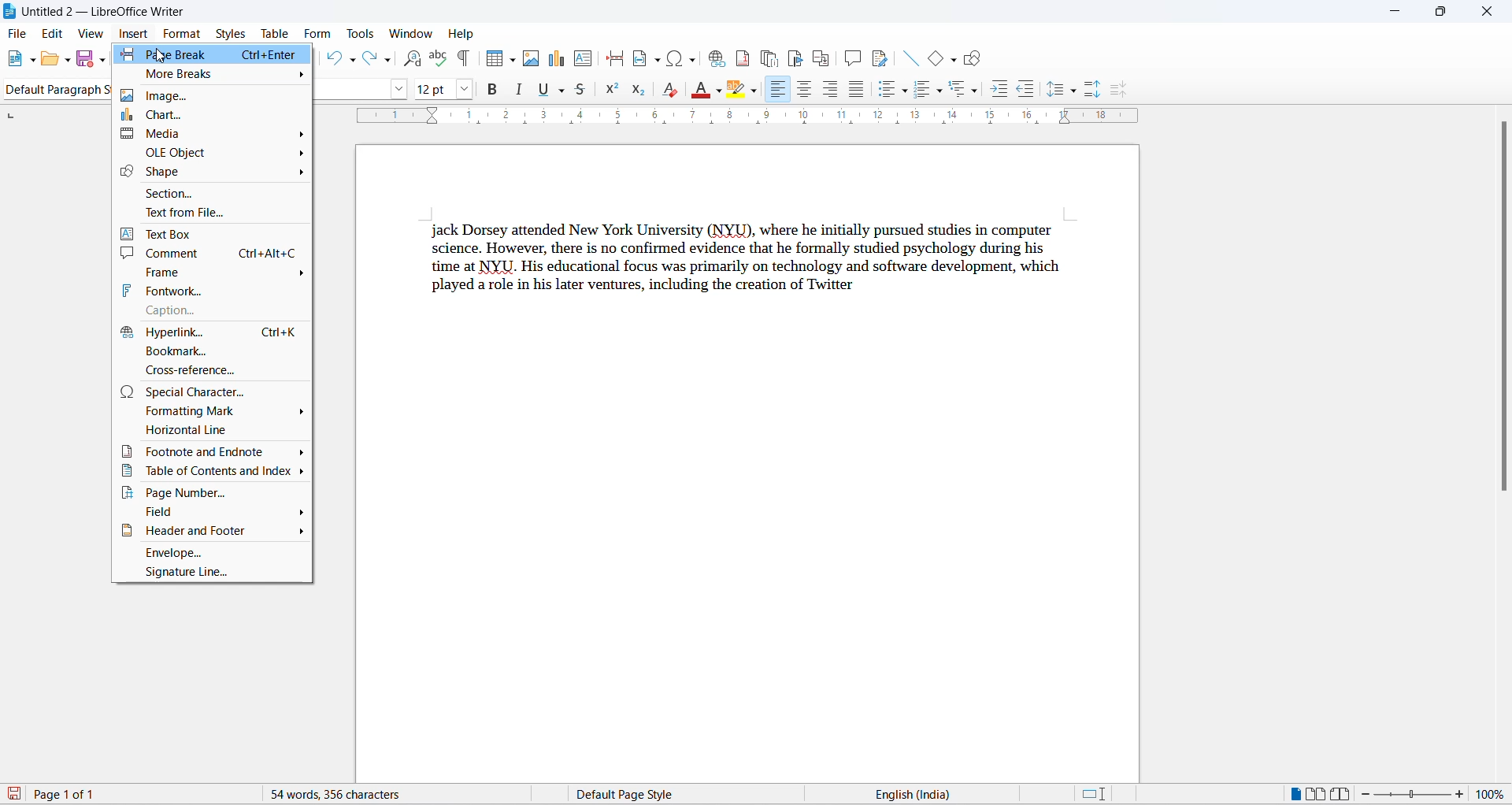  What do you see at coordinates (213, 391) in the screenshot?
I see `special characters` at bounding box center [213, 391].